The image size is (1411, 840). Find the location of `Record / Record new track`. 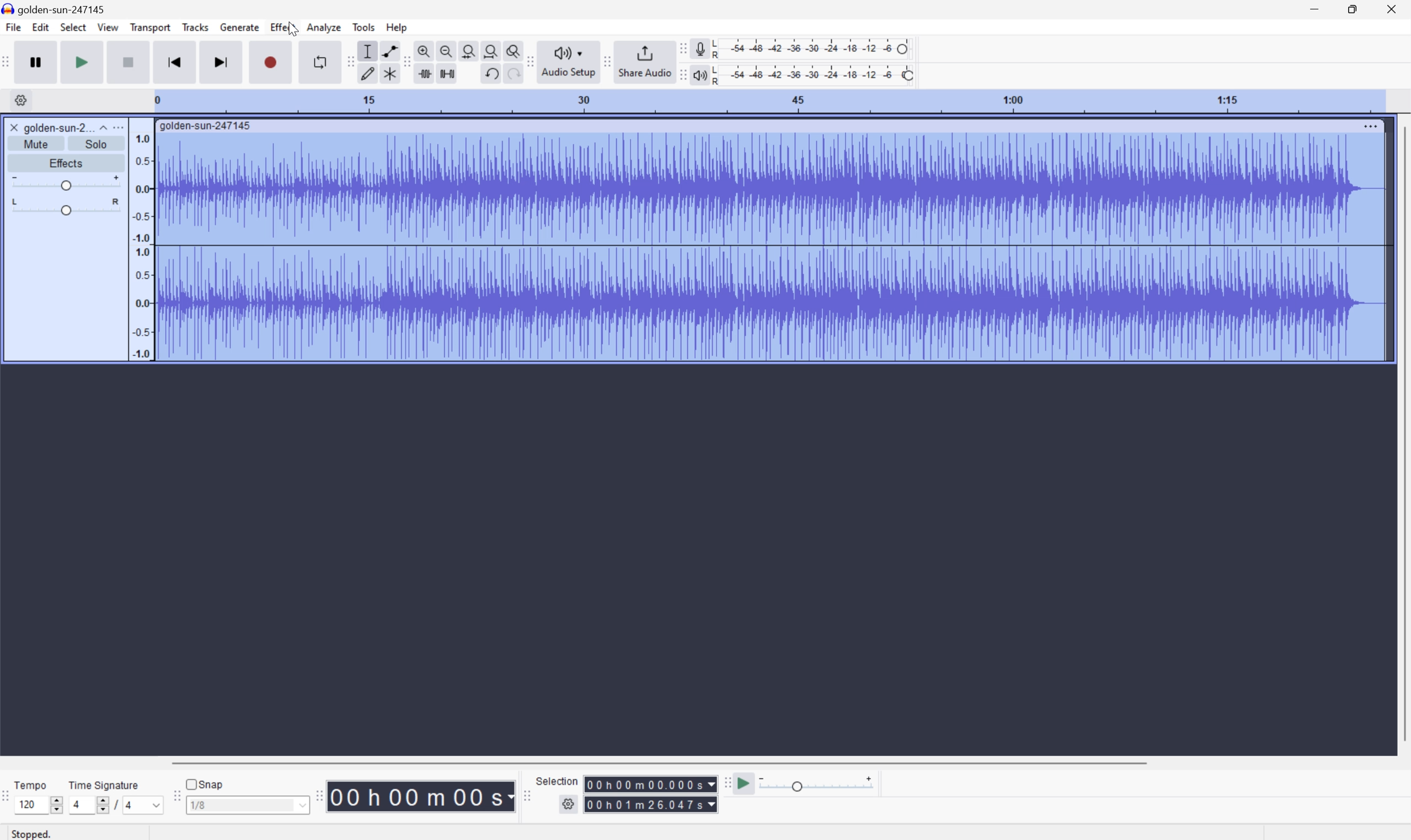

Record / Record new track is located at coordinates (270, 61).